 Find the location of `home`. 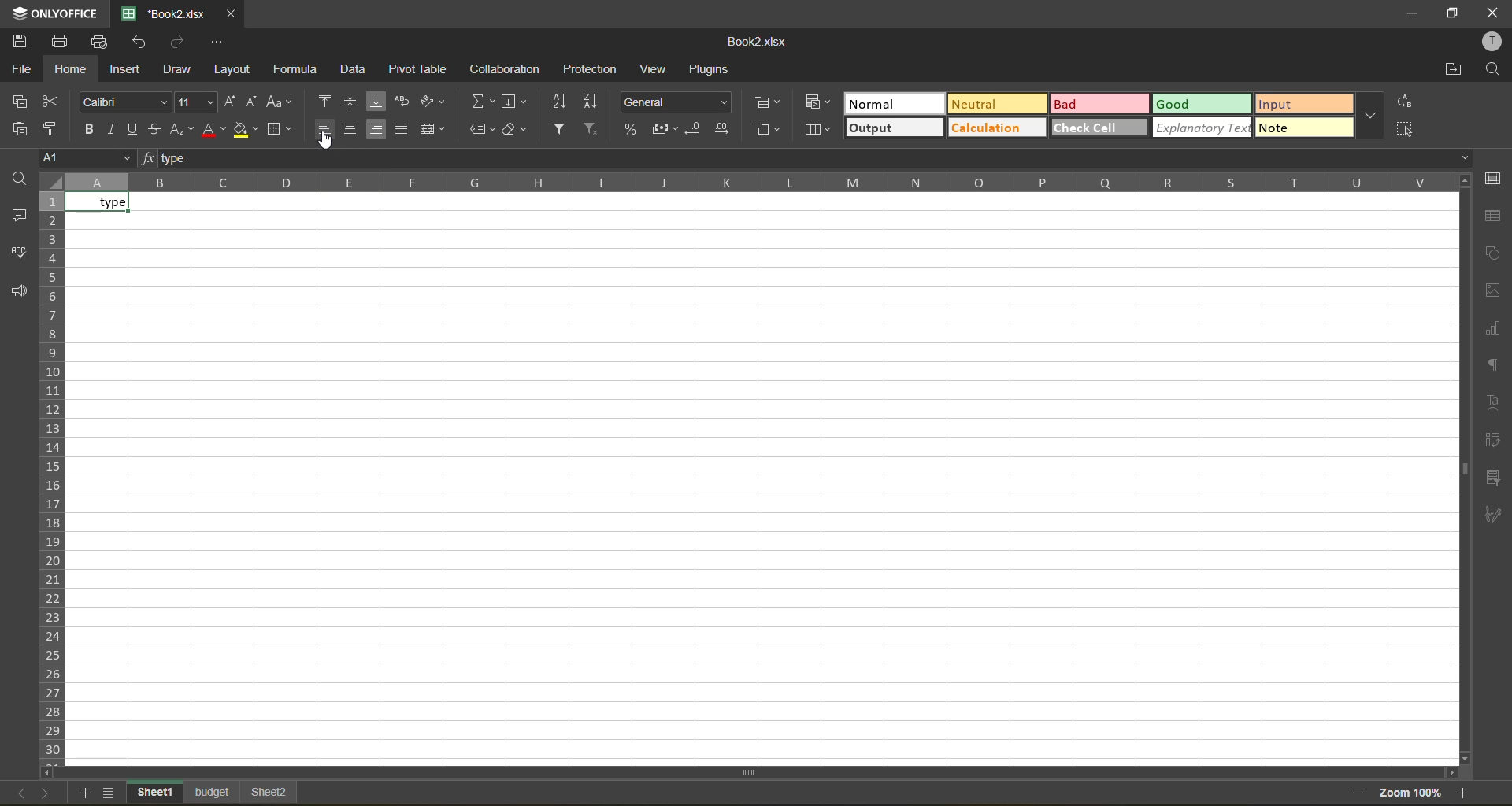

home is located at coordinates (71, 68).